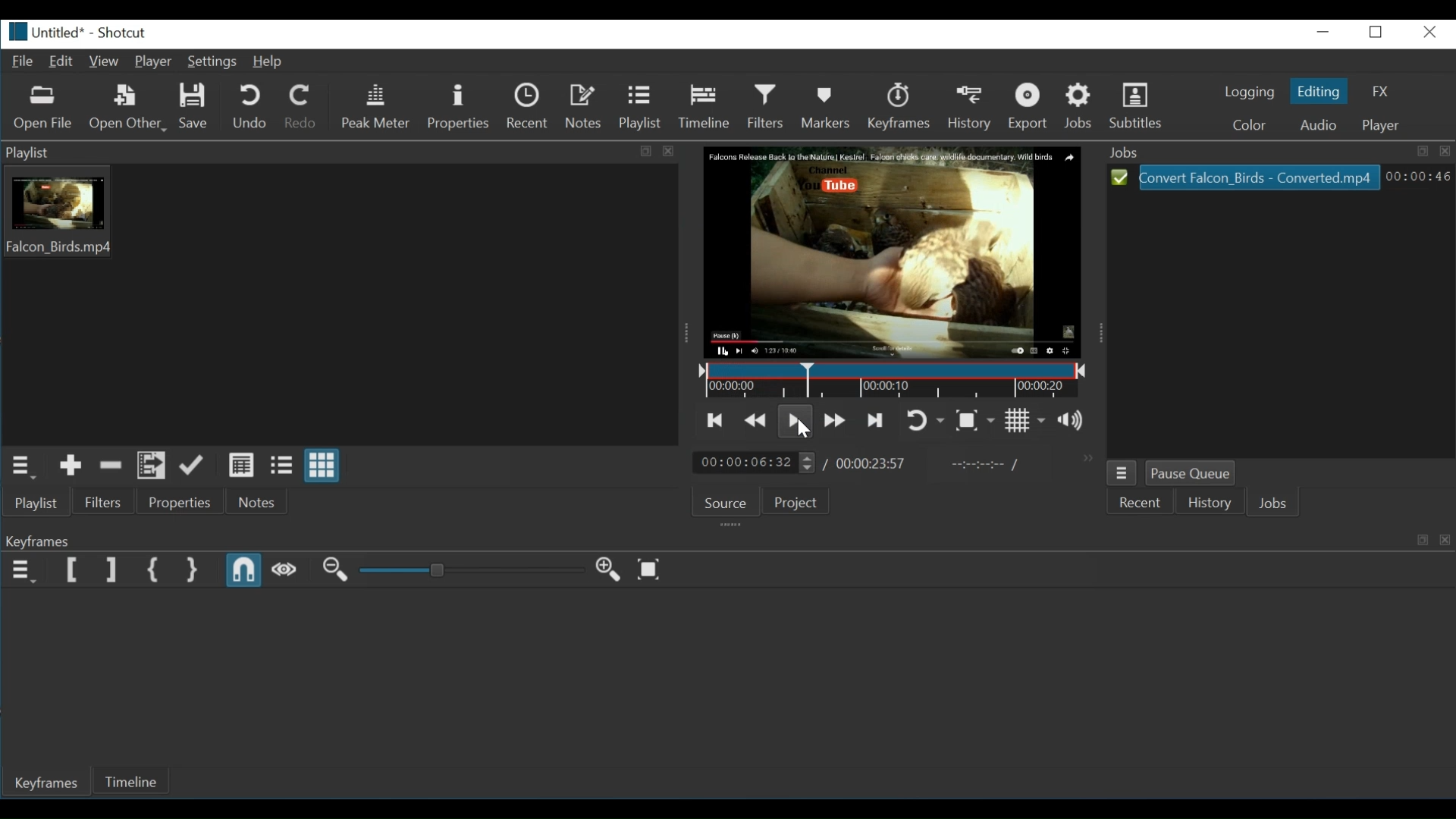 Image resolution: width=1456 pixels, height=819 pixels. Describe the element at coordinates (129, 107) in the screenshot. I see `Open Other` at that location.